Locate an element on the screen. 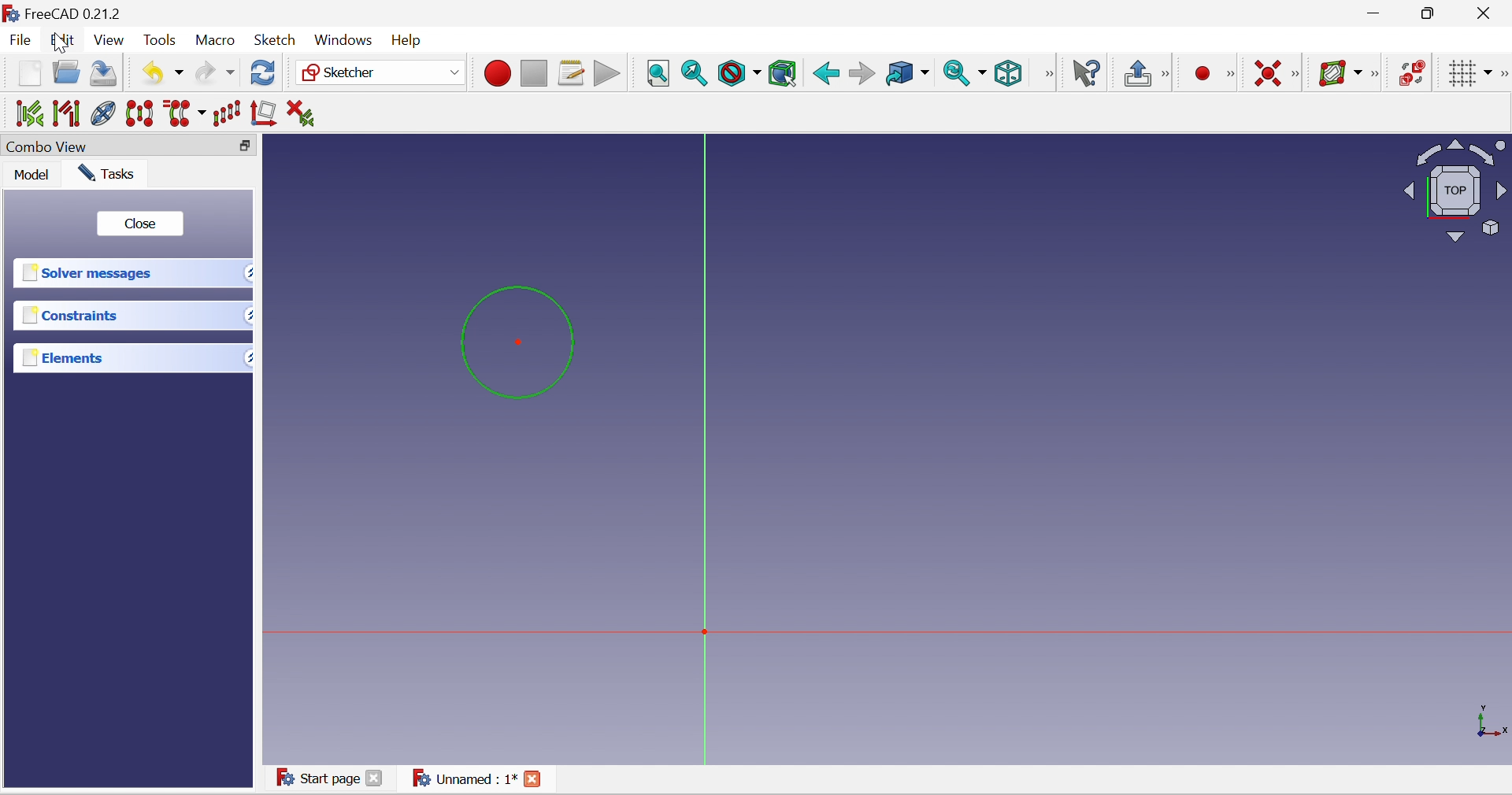 The width and height of the screenshot is (1512, 795). Remove axes alignment is located at coordinates (264, 112).